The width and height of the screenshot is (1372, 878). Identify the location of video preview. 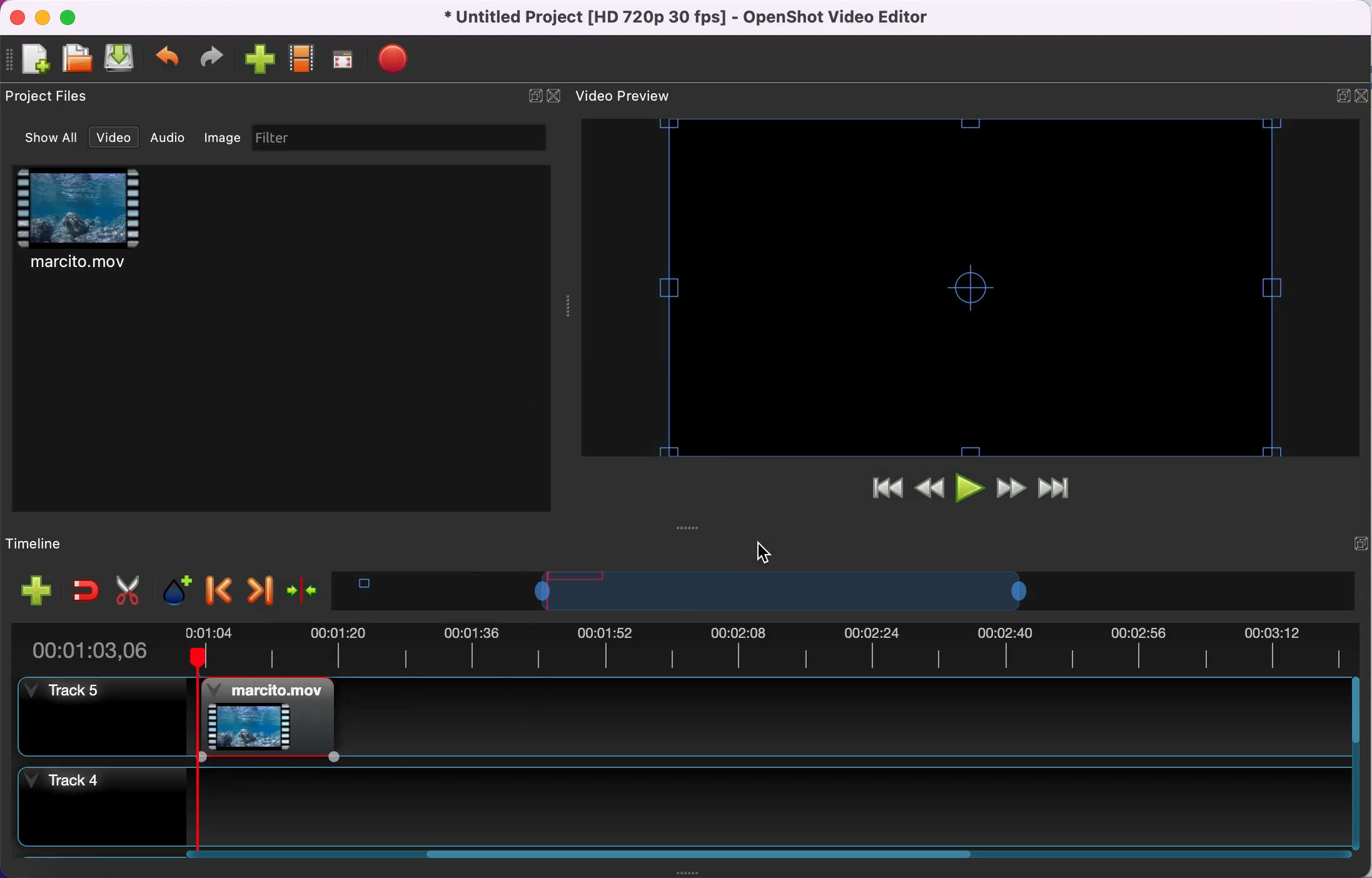
(964, 288).